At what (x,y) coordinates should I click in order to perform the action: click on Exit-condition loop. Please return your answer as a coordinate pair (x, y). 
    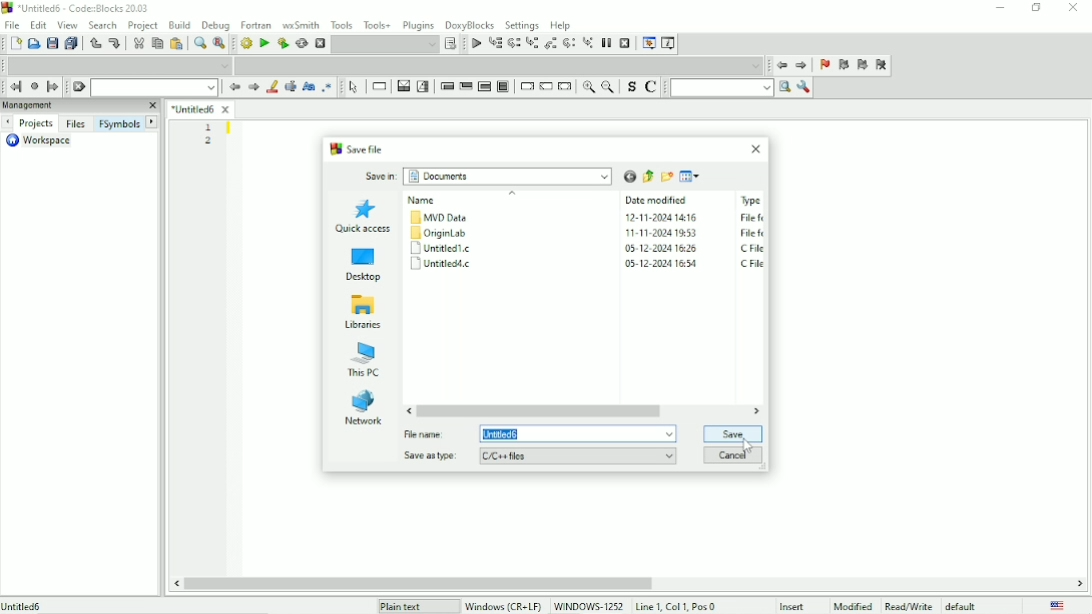
    Looking at the image, I should click on (465, 86).